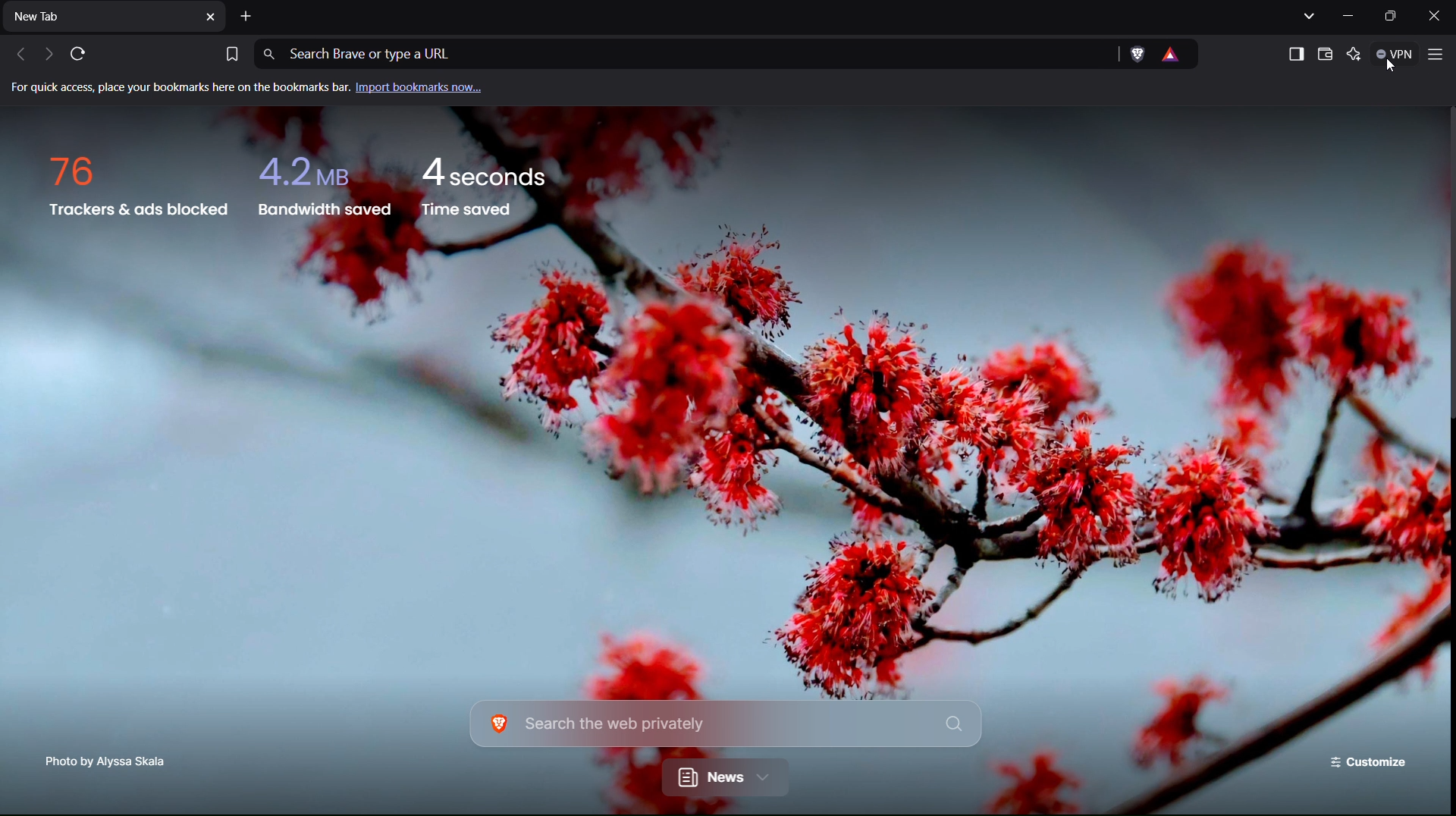 The width and height of the screenshot is (1456, 816). Describe the element at coordinates (1367, 760) in the screenshot. I see `Customize` at that location.